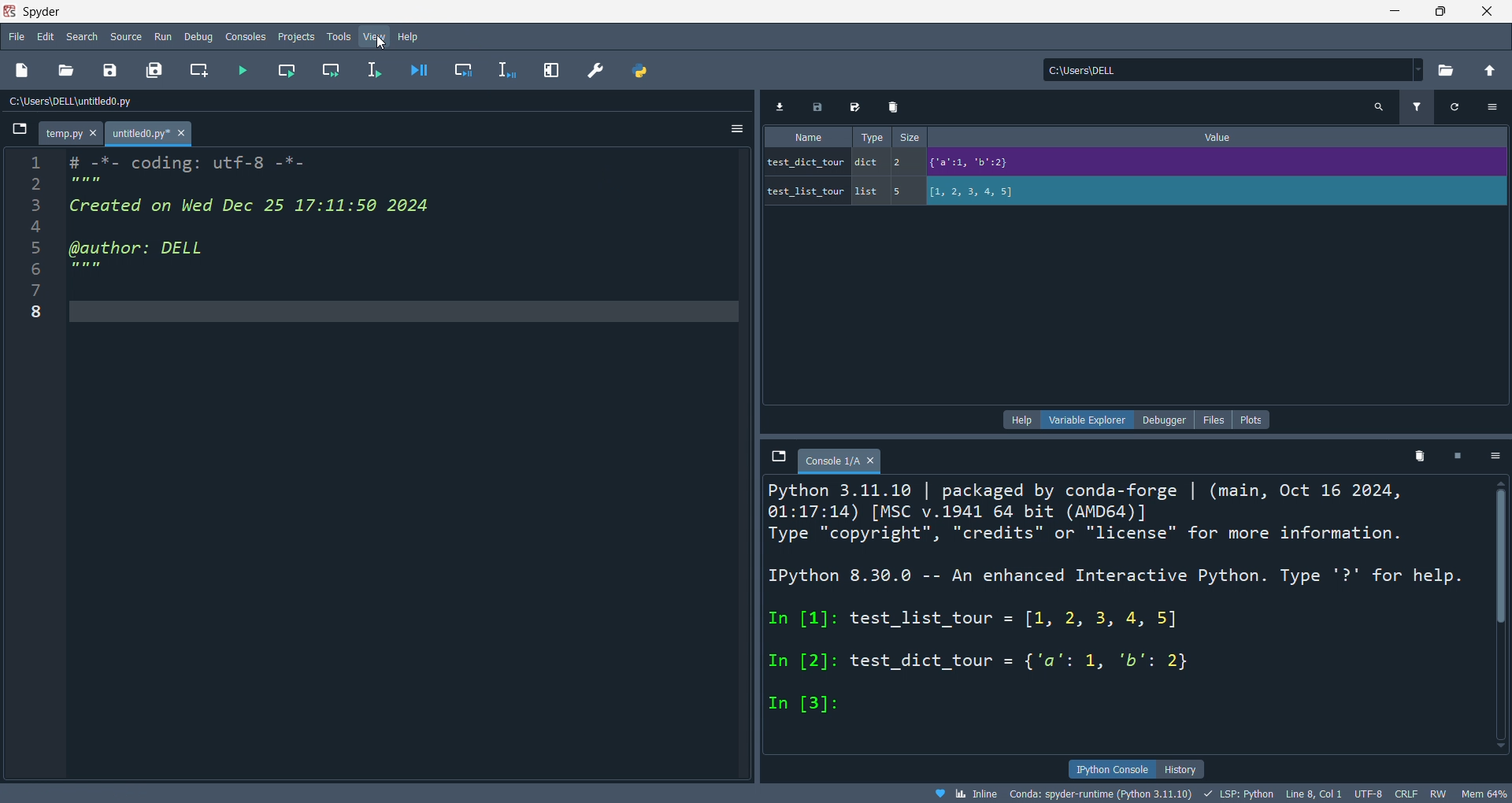  Describe the element at coordinates (840, 460) in the screenshot. I see `tab` at that location.